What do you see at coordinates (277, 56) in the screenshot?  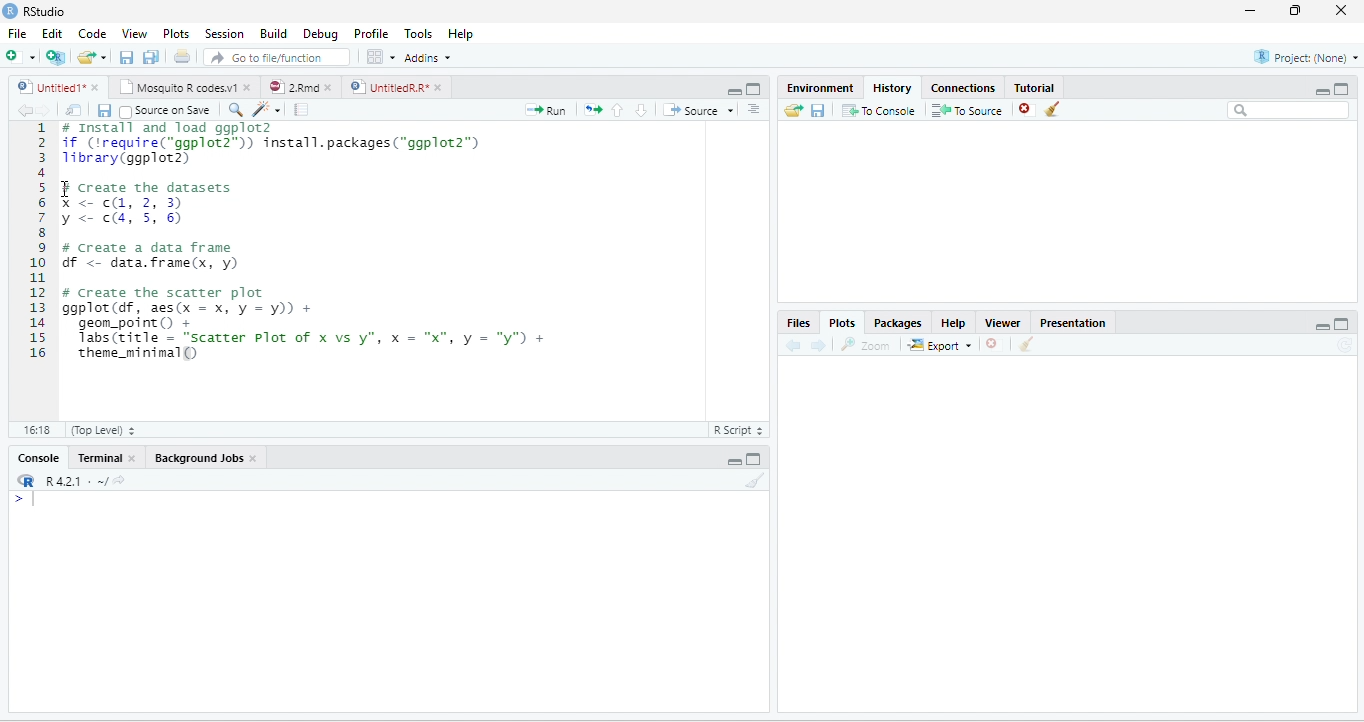 I see `Go to file/function` at bounding box center [277, 56].